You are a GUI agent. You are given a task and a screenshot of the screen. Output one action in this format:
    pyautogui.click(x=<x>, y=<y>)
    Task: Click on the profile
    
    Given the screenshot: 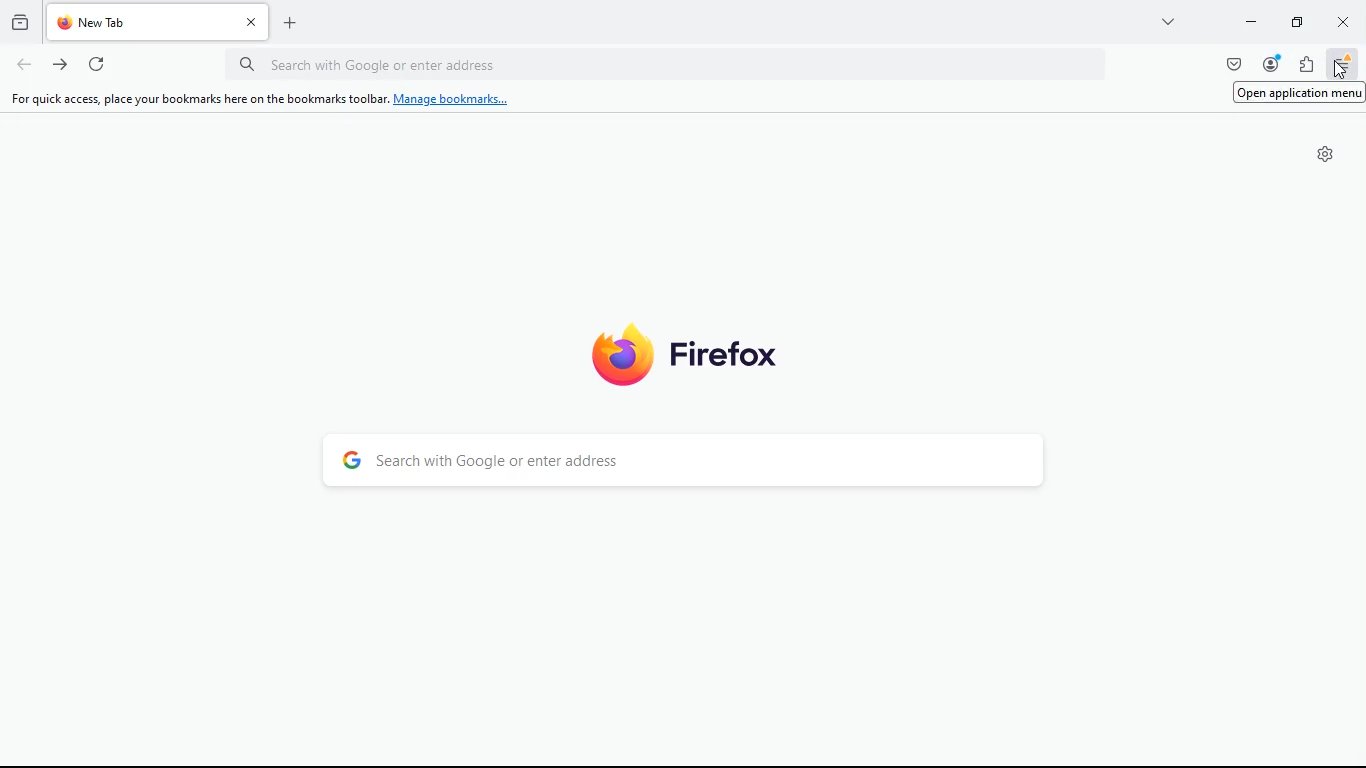 What is the action you would take?
    pyautogui.click(x=1270, y=65)
    